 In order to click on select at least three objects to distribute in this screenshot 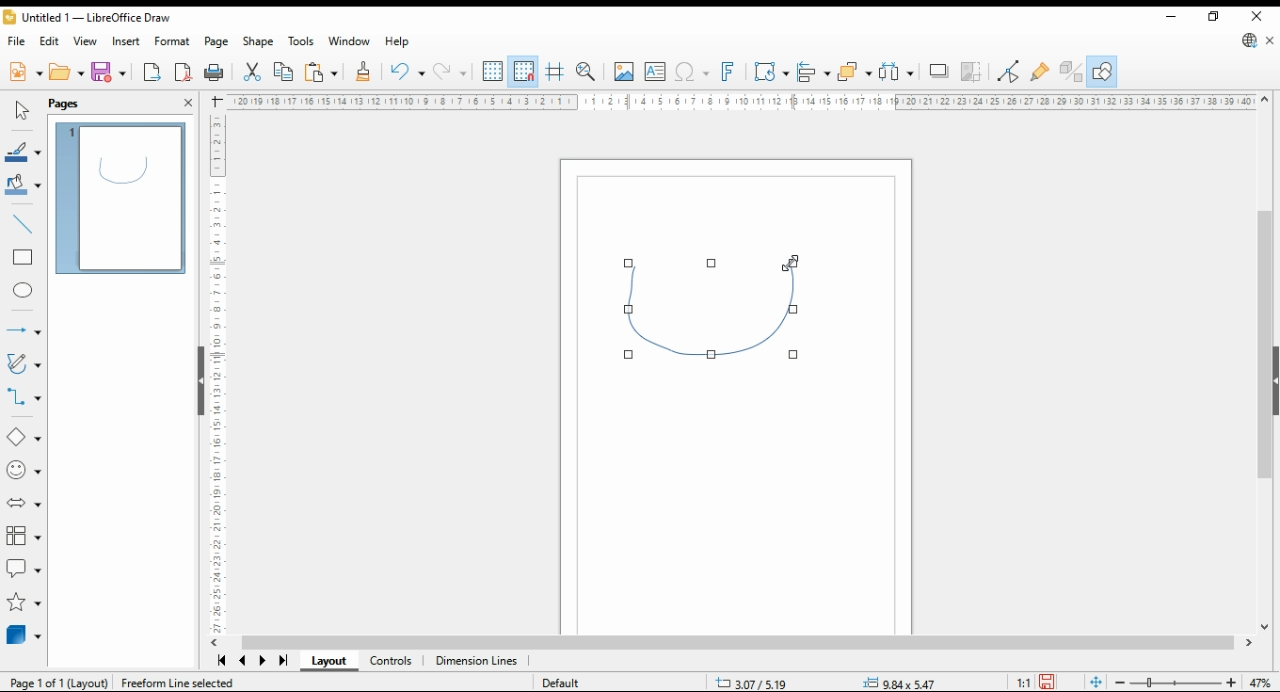, I will do `click(895, 72)`.